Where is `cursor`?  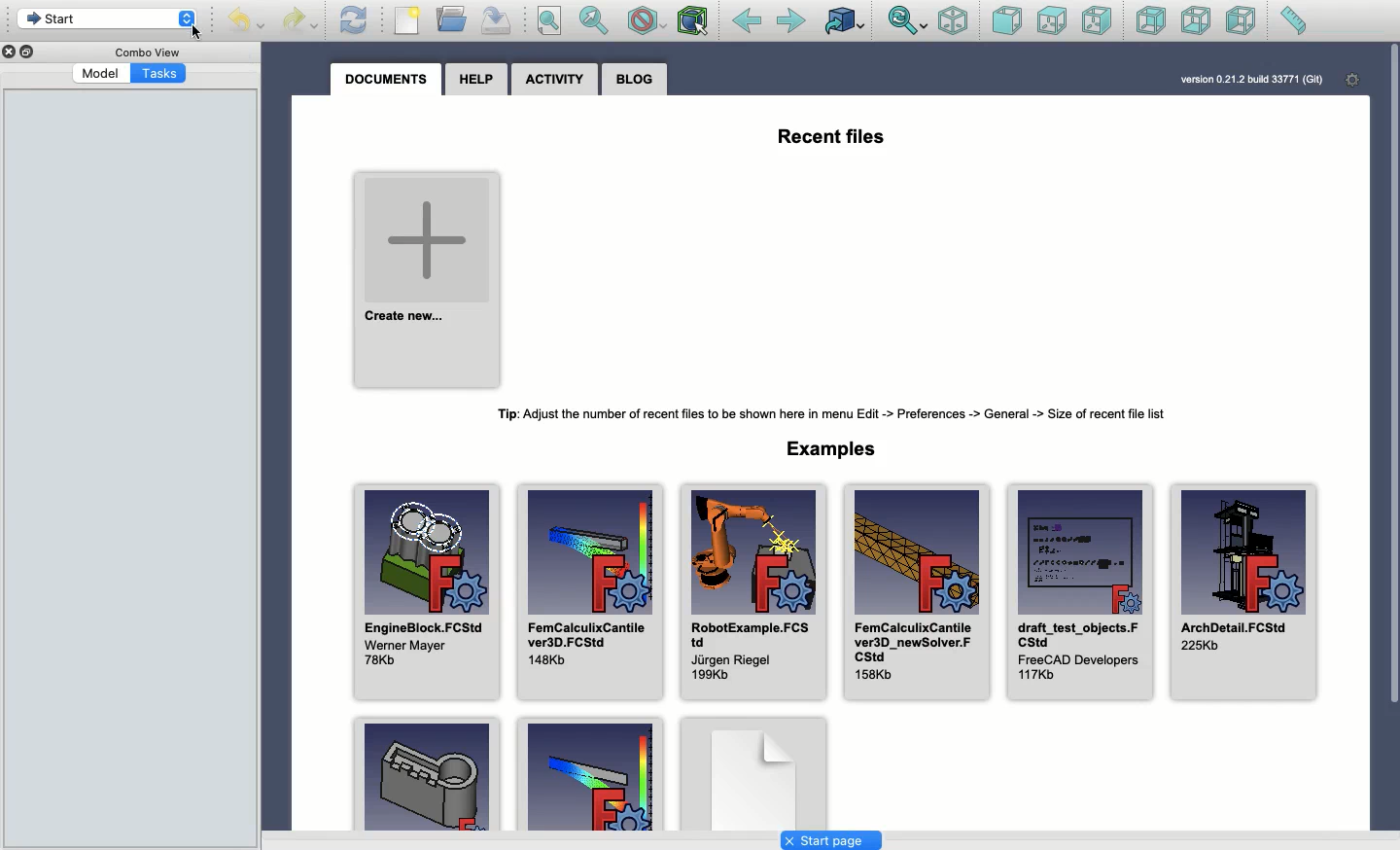
cursor is located at coordinates (194, 33).